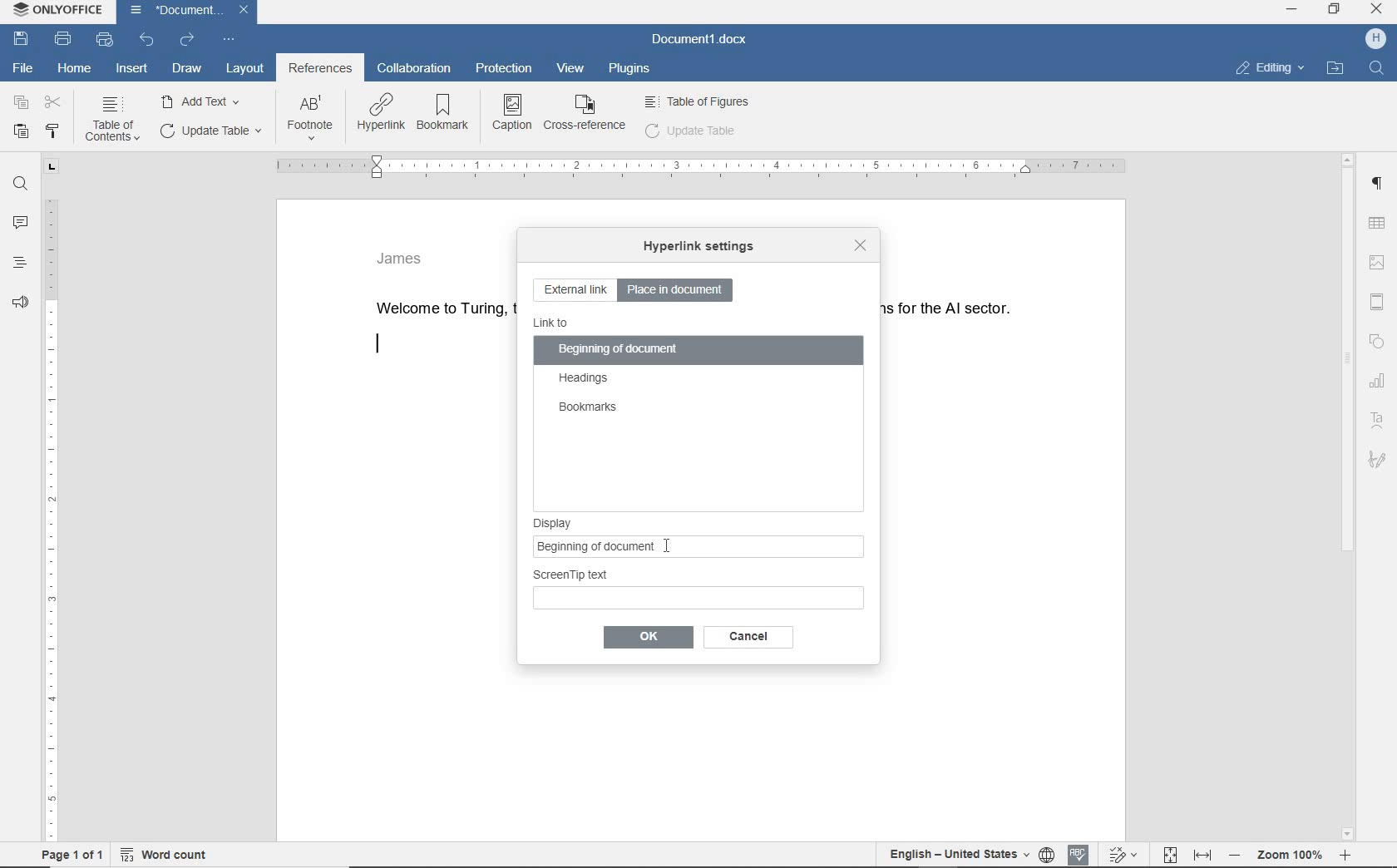  I want to click on Table of figures, so click(698, 100).